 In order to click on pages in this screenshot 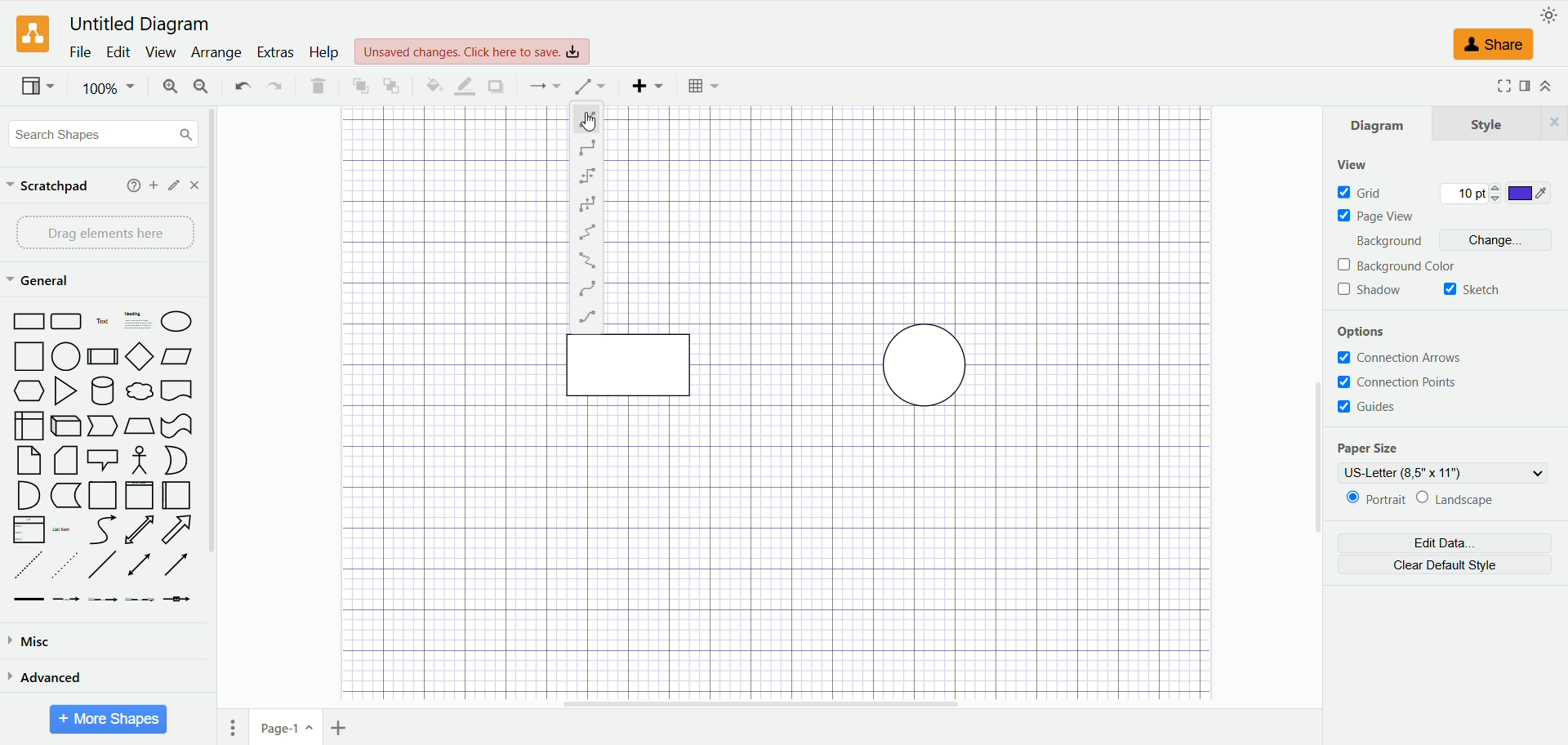, I will do `click(234, 728)`.